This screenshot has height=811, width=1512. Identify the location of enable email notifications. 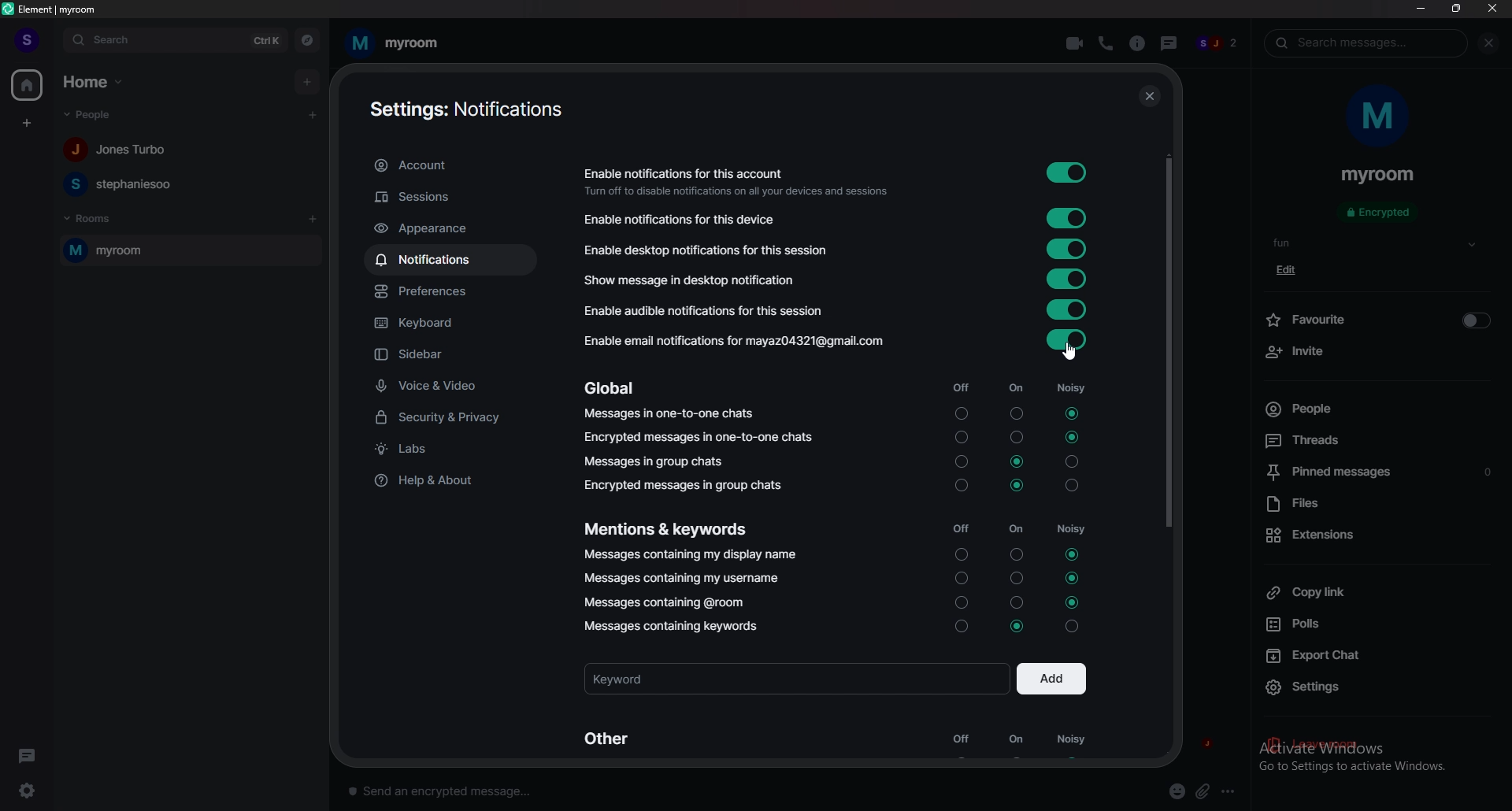
(836, 341).